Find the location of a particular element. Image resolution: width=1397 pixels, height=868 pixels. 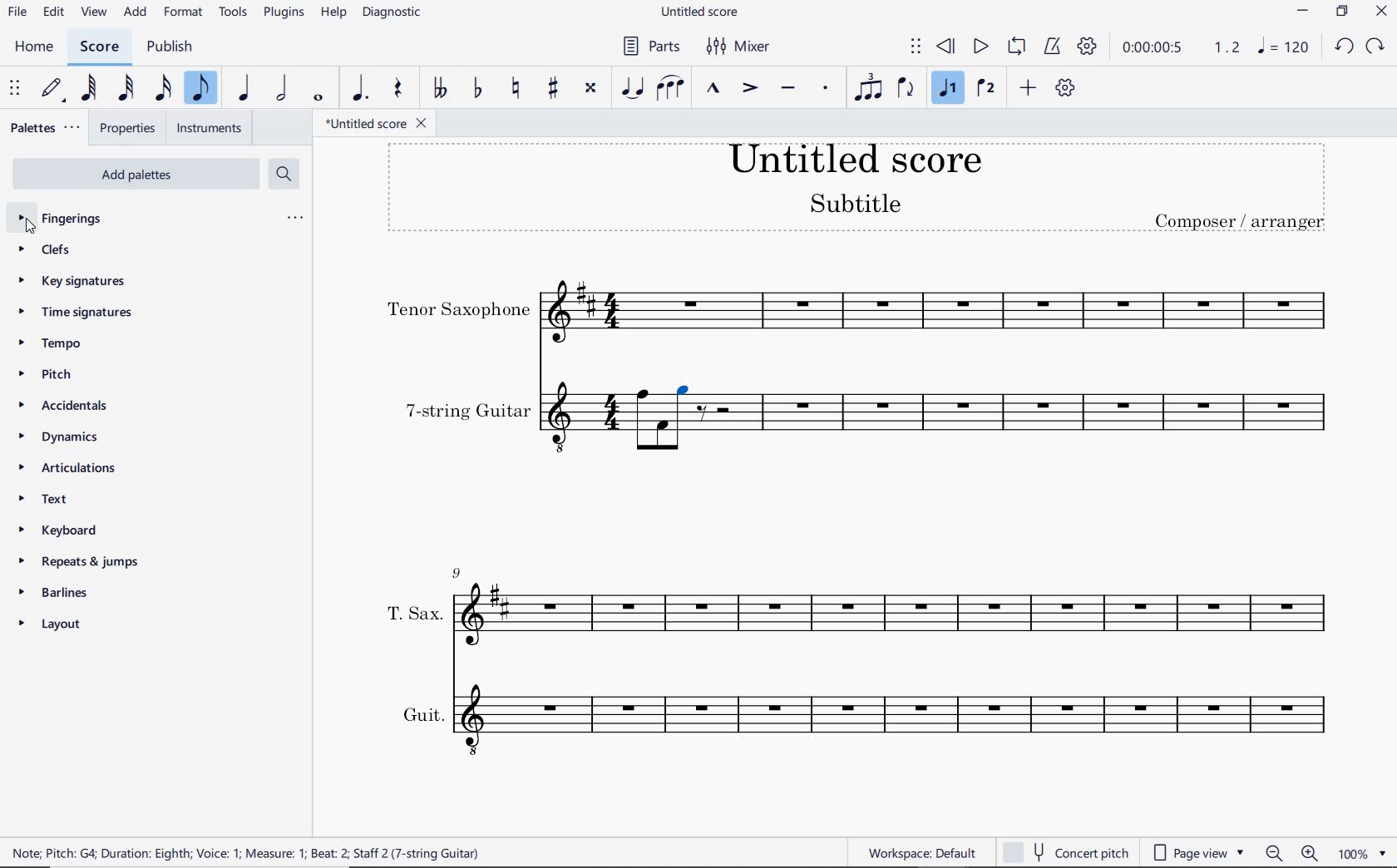

TIE is located at coordinates (631, 87).